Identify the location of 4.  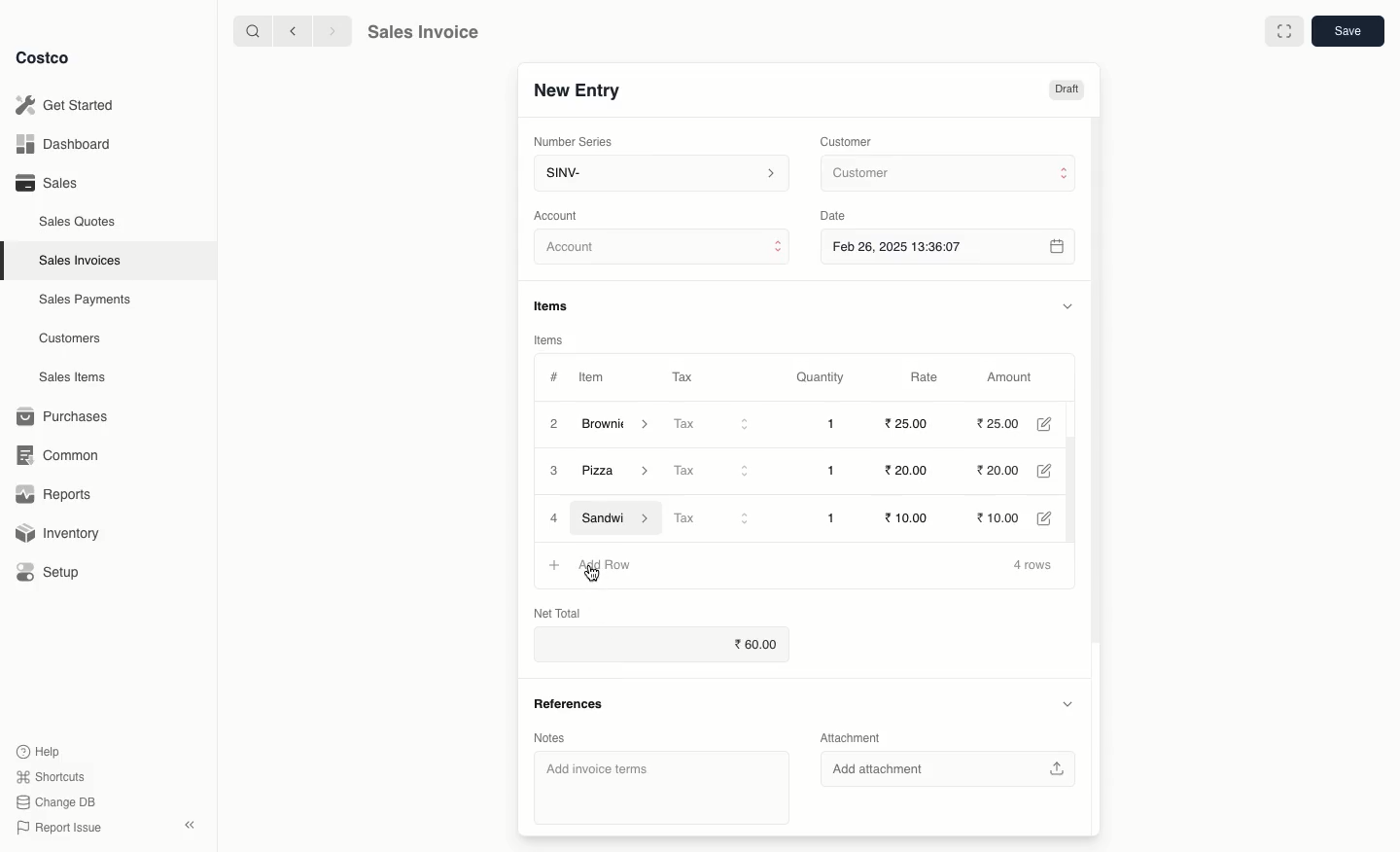
(554, 518).